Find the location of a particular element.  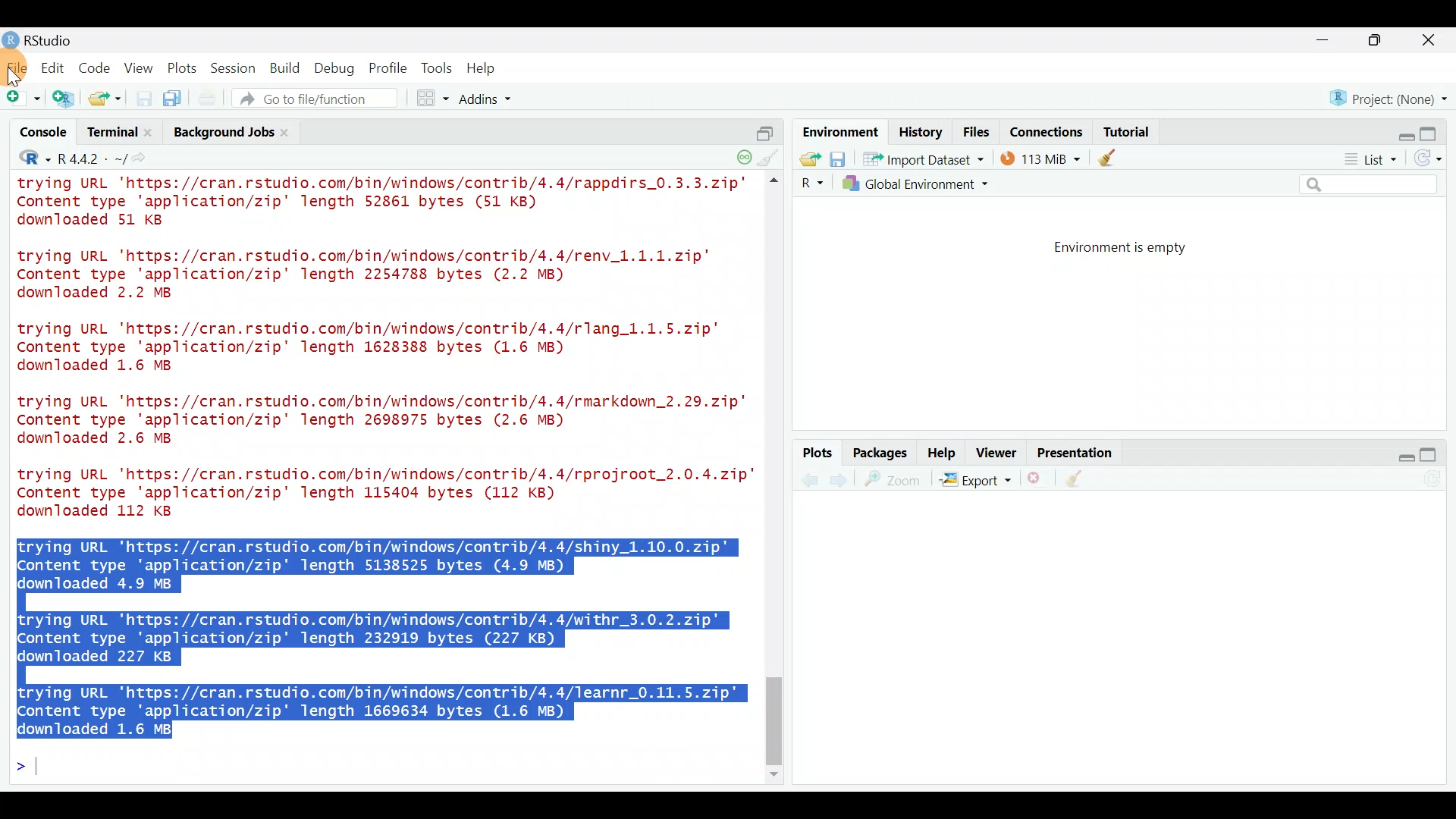

session suspend timeout paused - a child session is running is located at coordinates (743, 152).